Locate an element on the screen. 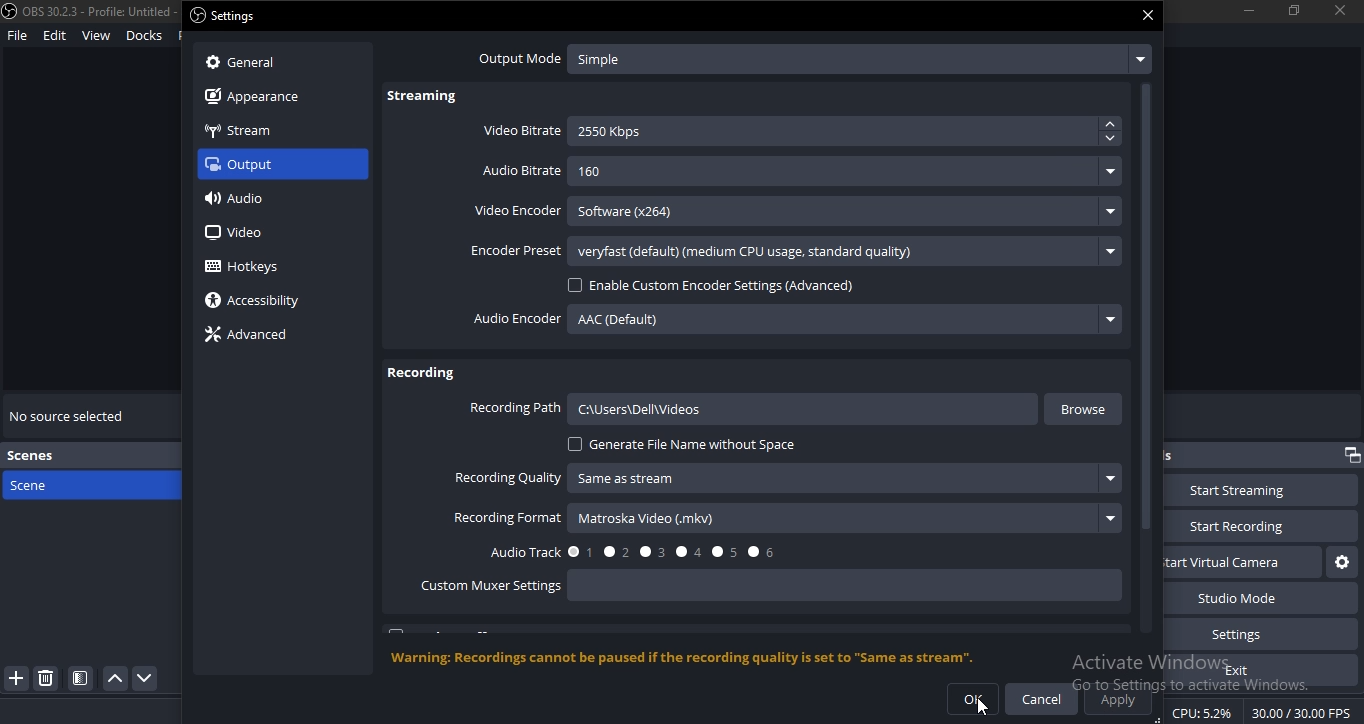 The height and width of the screenshot is (724, 1364). custom mixer settings is located at coordinates (493, 586).